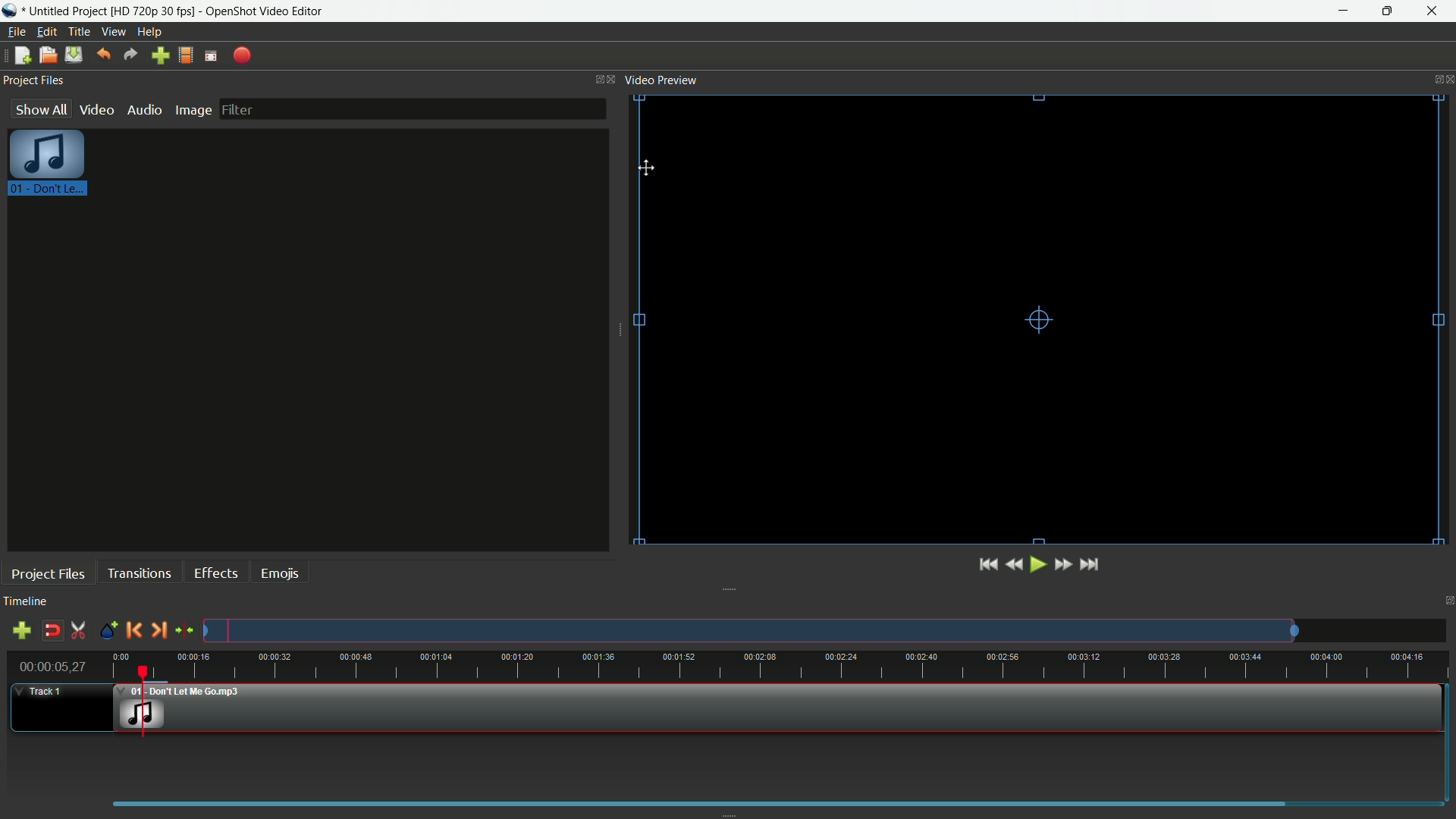  What do you see at coordinates (149, 32) in the screenshot?
I see `help menu` at bounding box center [149, 32].